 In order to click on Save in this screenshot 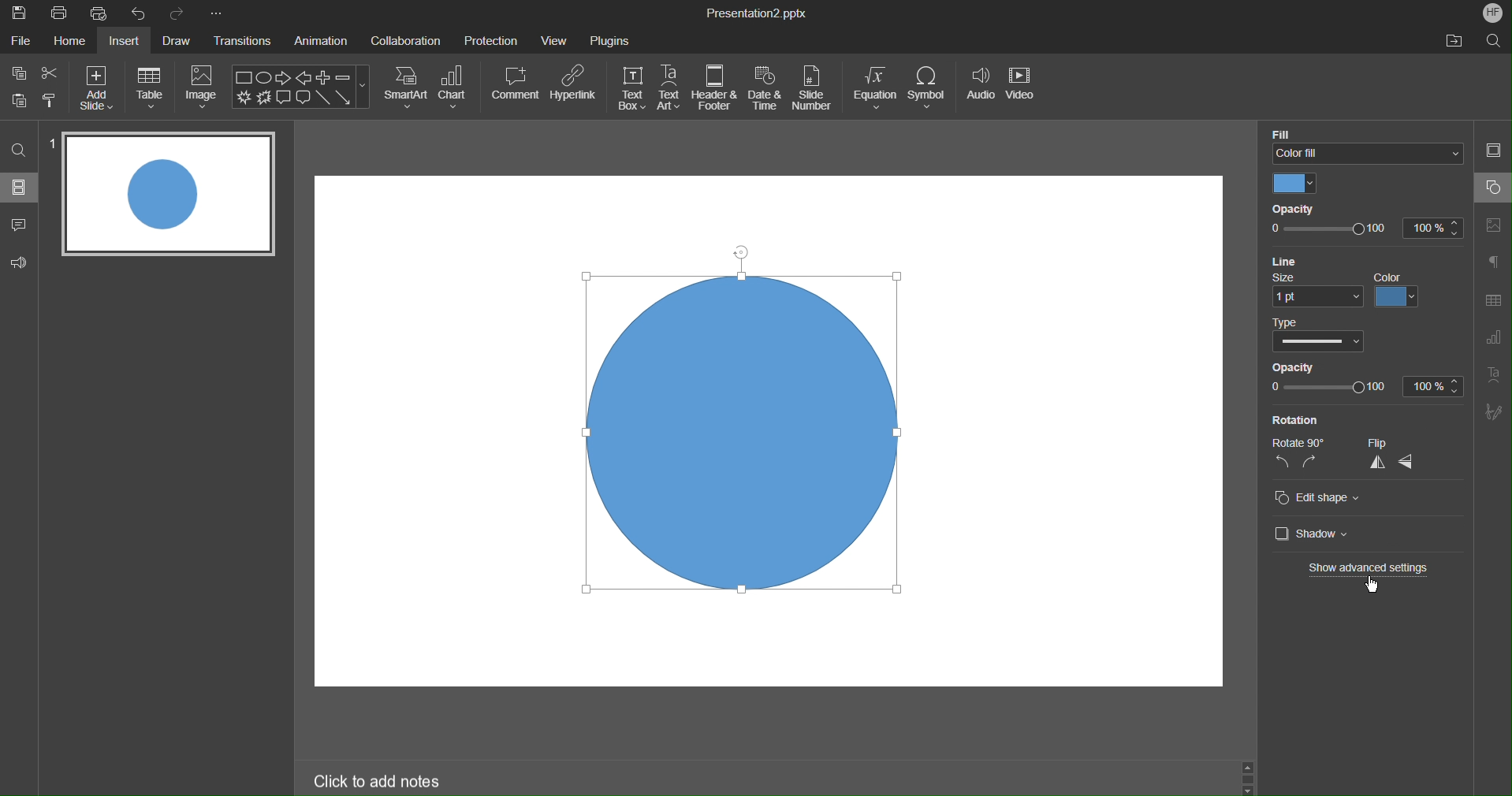, I will do `click(18, 13)`.